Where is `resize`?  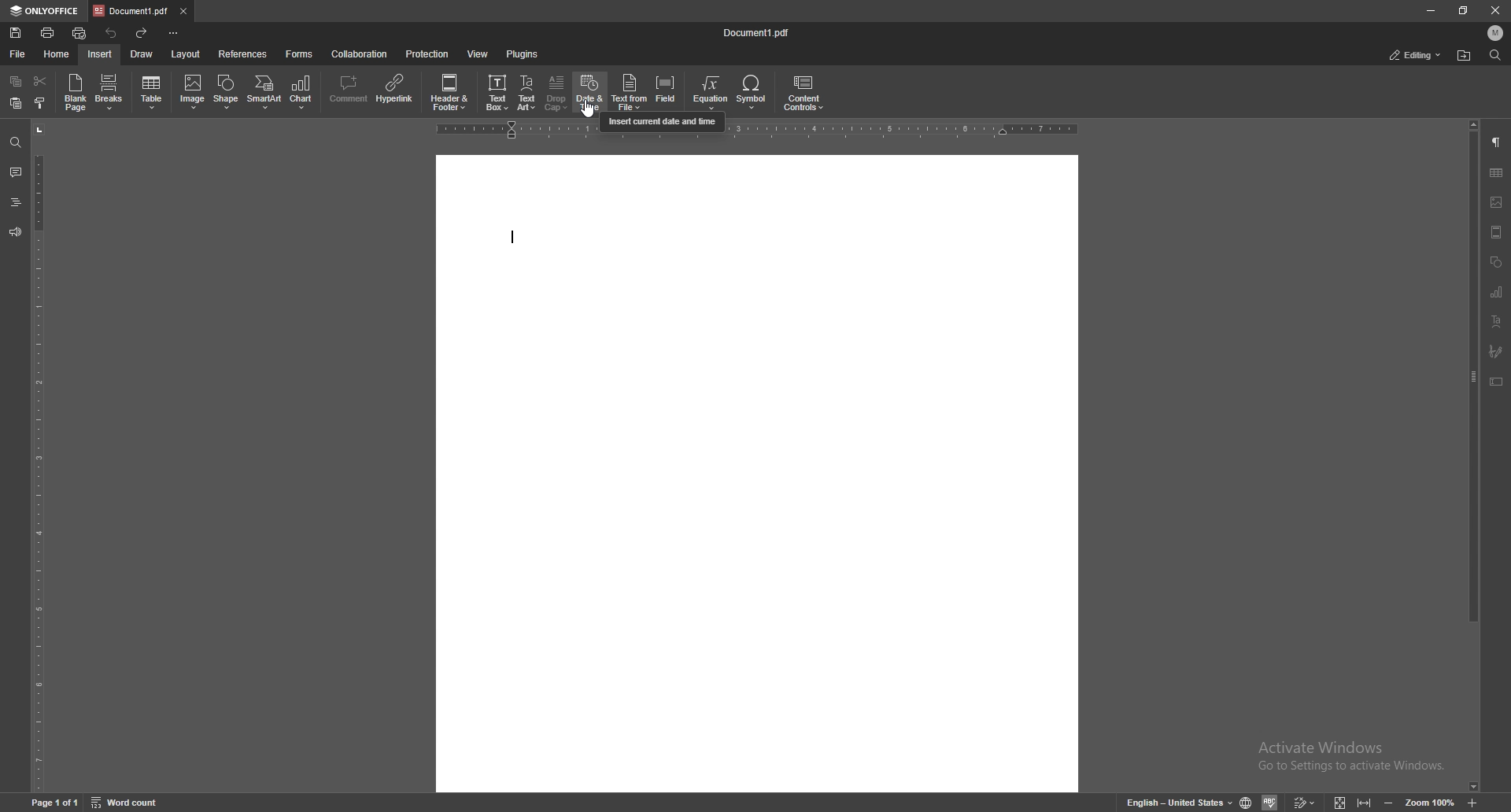
resize is located at coordinates (1464, 10).